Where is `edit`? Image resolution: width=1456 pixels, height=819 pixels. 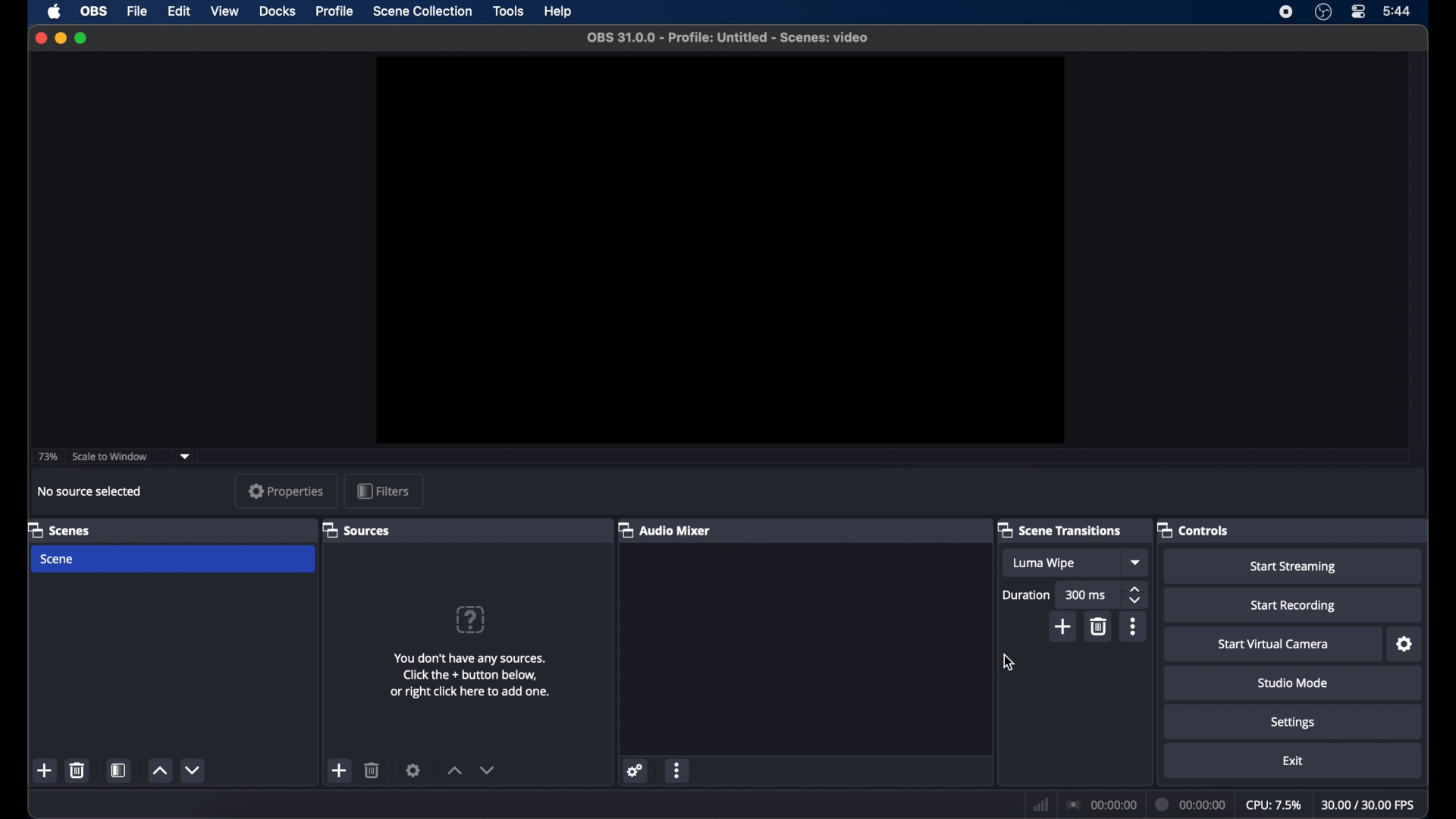
edit is located at coordinates (179, 12).